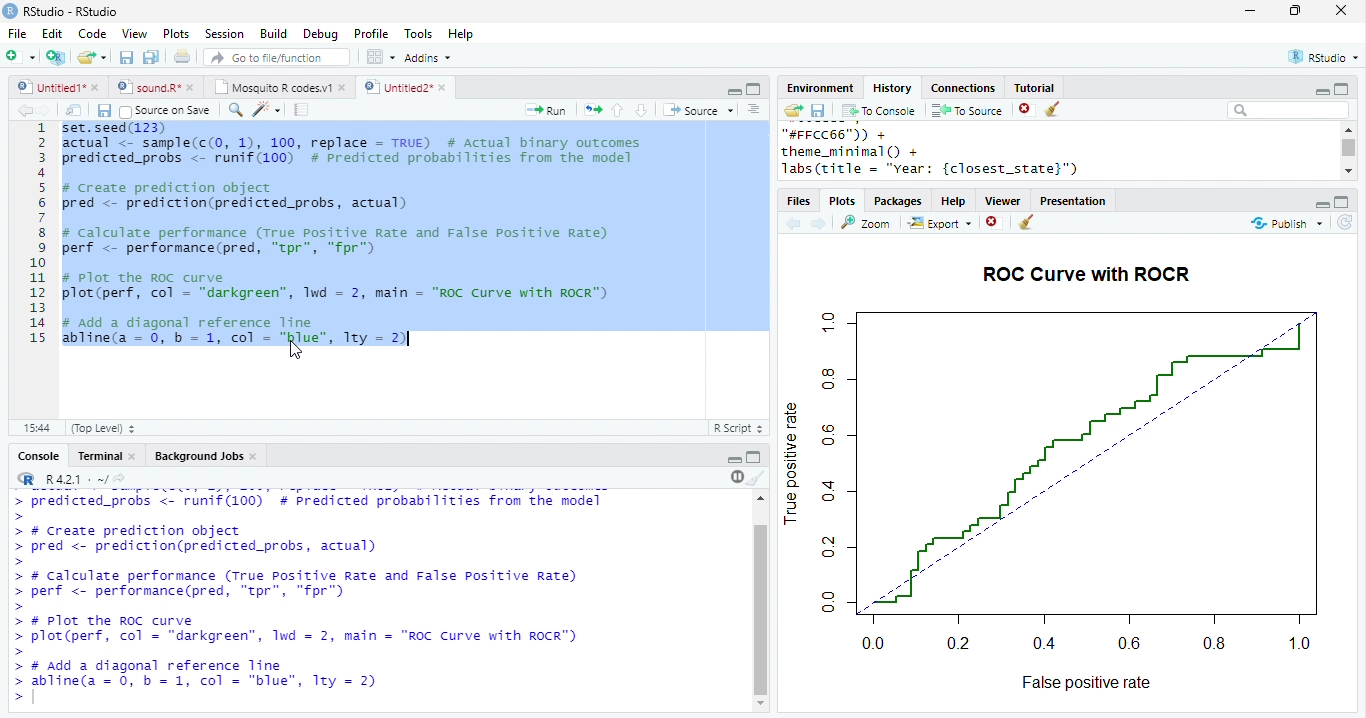 The image size is (1366, 718). Describe the element at coordinates (256, 457) in the screenshot. I see `close` at that location.